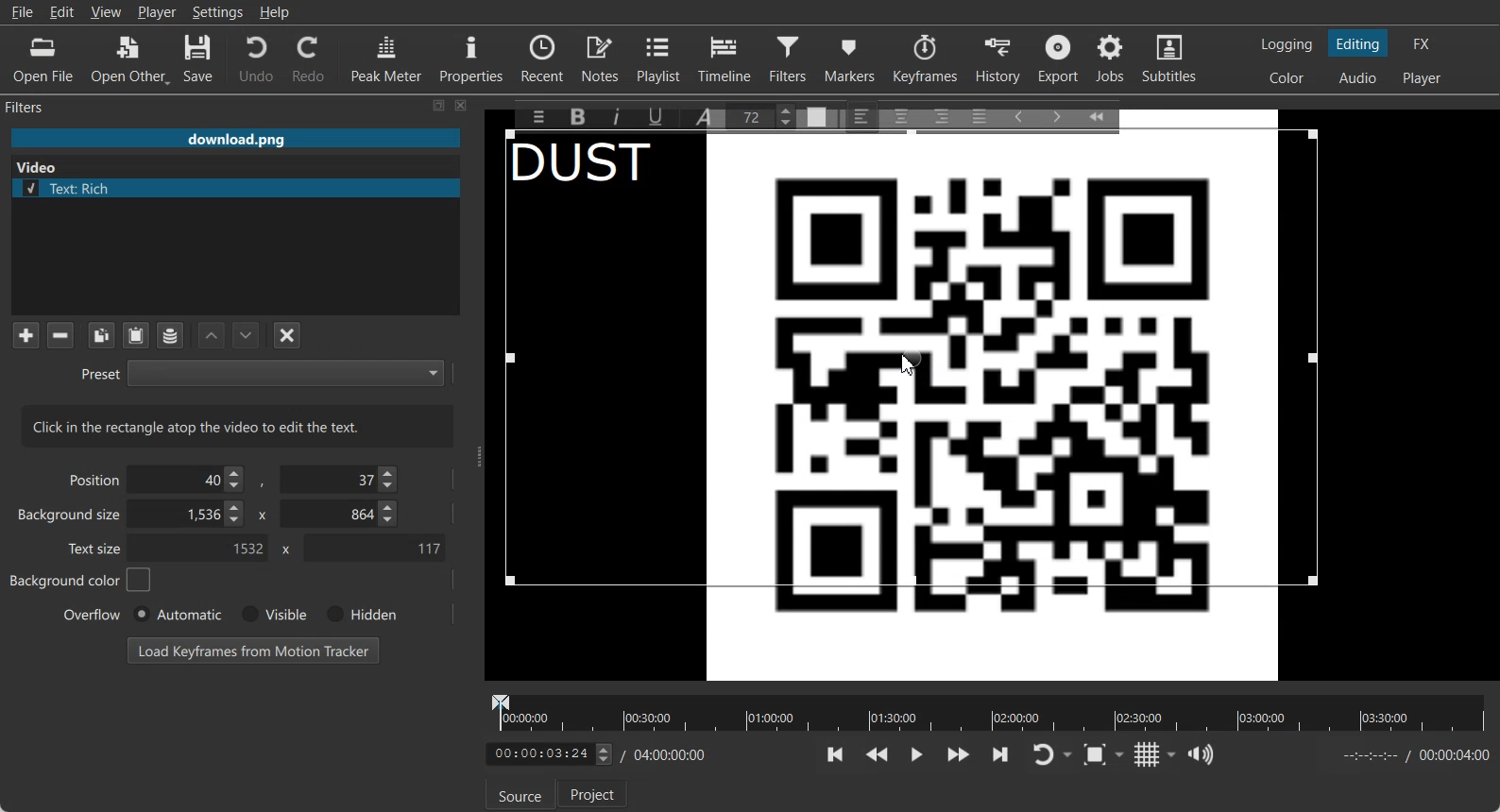  Describe the element at coordinates (662, 116) in the screenshot. I see `Underline` at that location.